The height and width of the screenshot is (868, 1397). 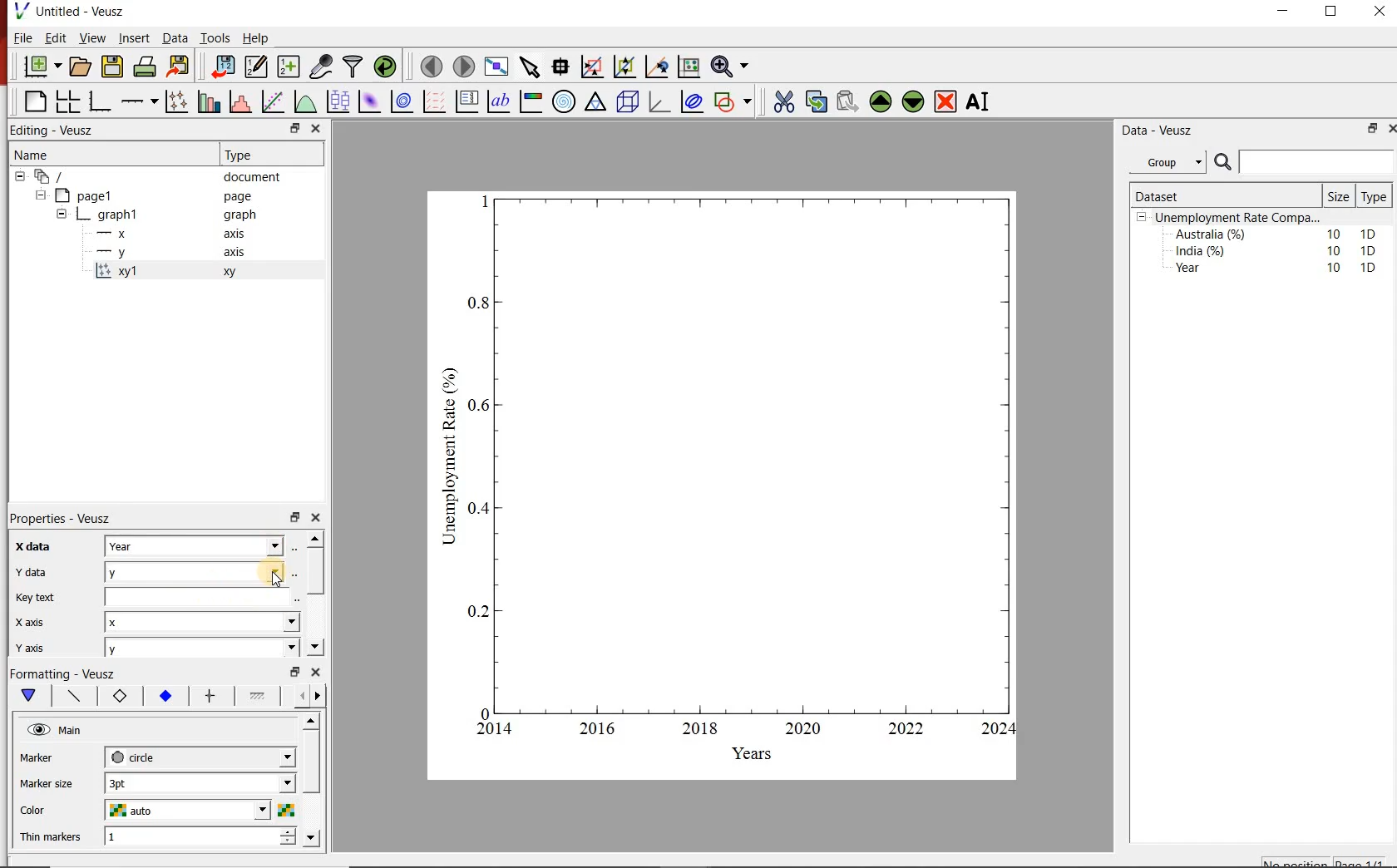 I want to click on move up, so click(x=315, y=538).